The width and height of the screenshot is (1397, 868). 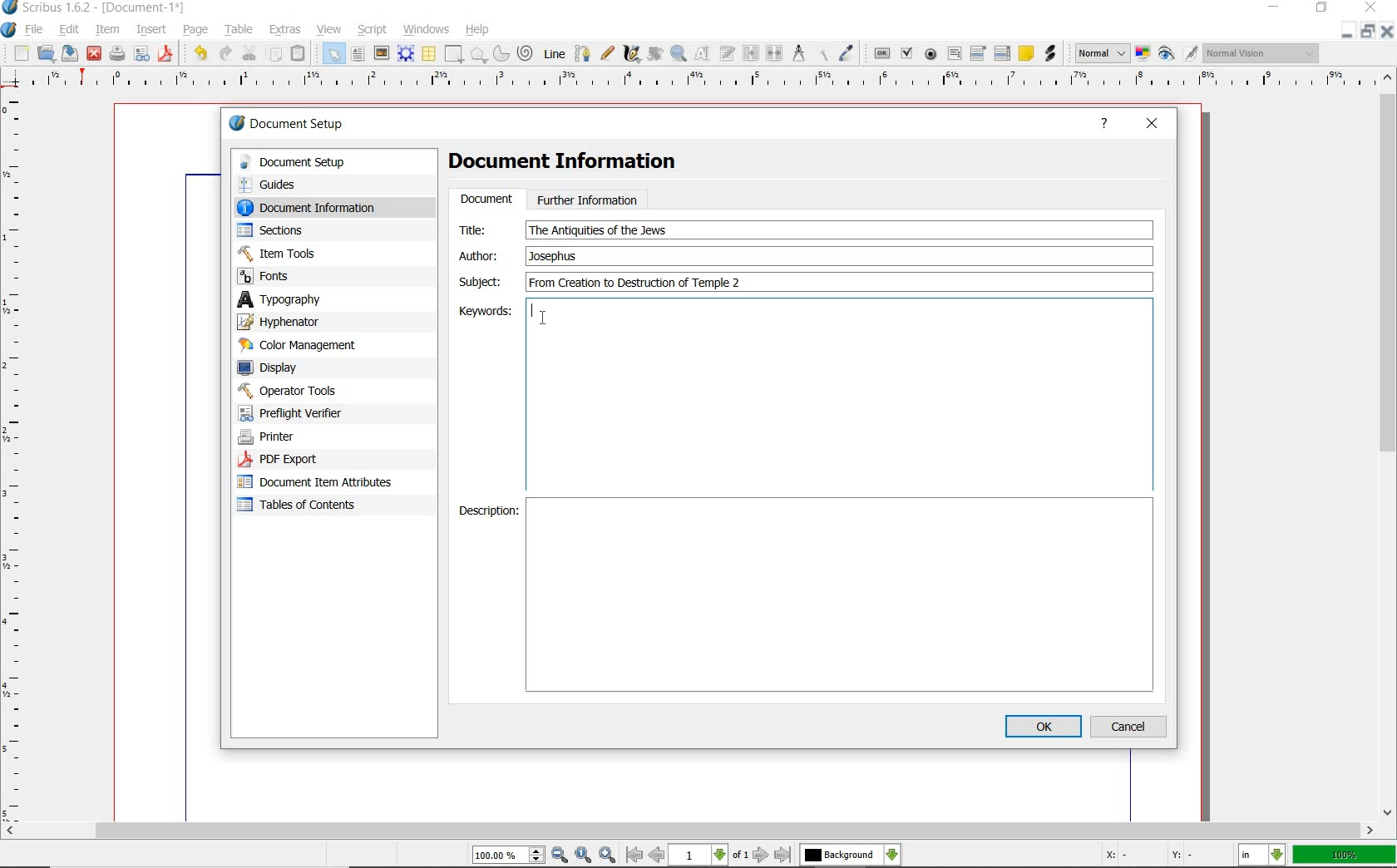 I want to click on sections, so click(x=307, y=230).